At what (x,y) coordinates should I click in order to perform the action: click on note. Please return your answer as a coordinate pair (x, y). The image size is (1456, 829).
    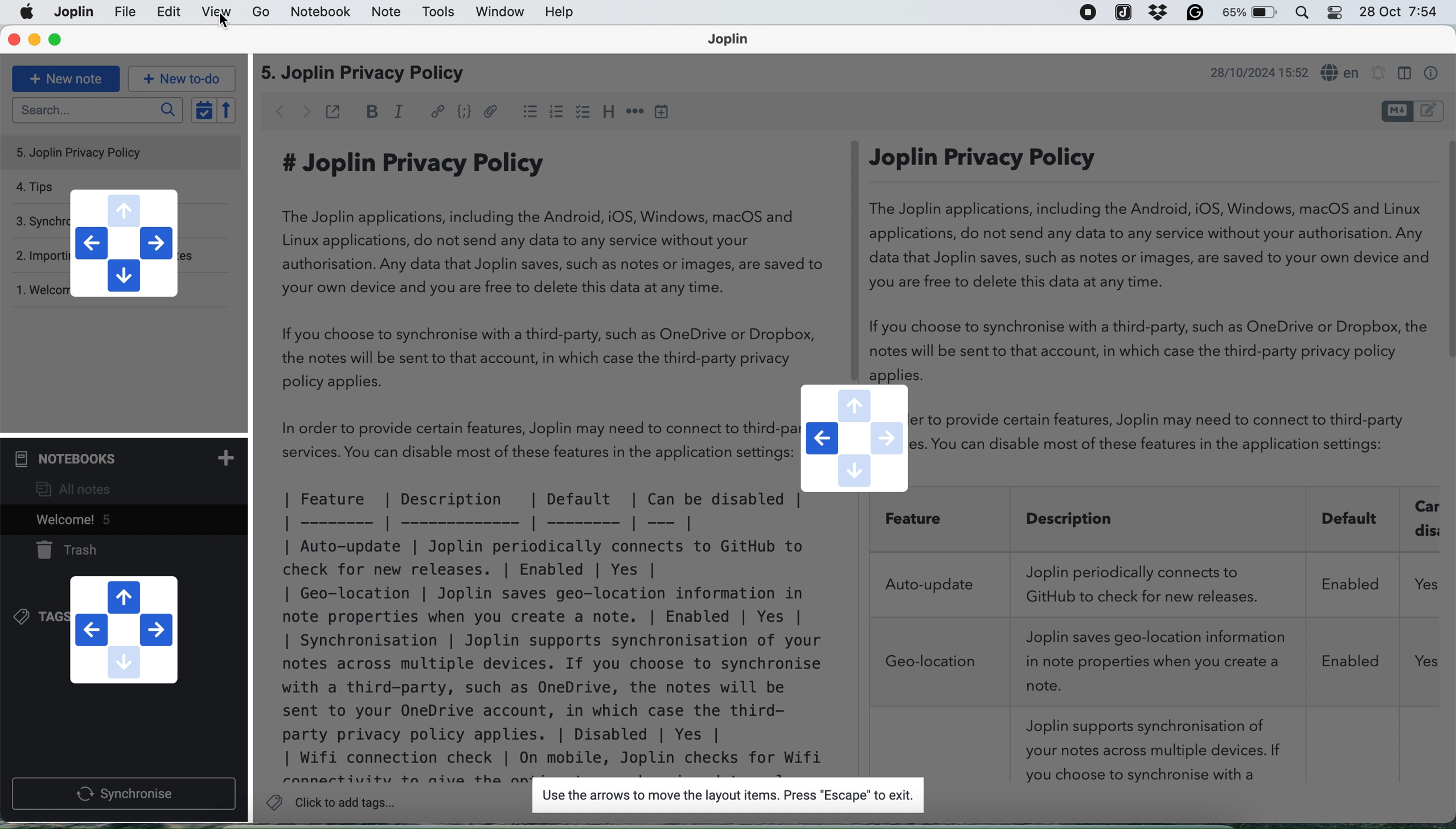
    Looking at the image, I should click on (384, 13).